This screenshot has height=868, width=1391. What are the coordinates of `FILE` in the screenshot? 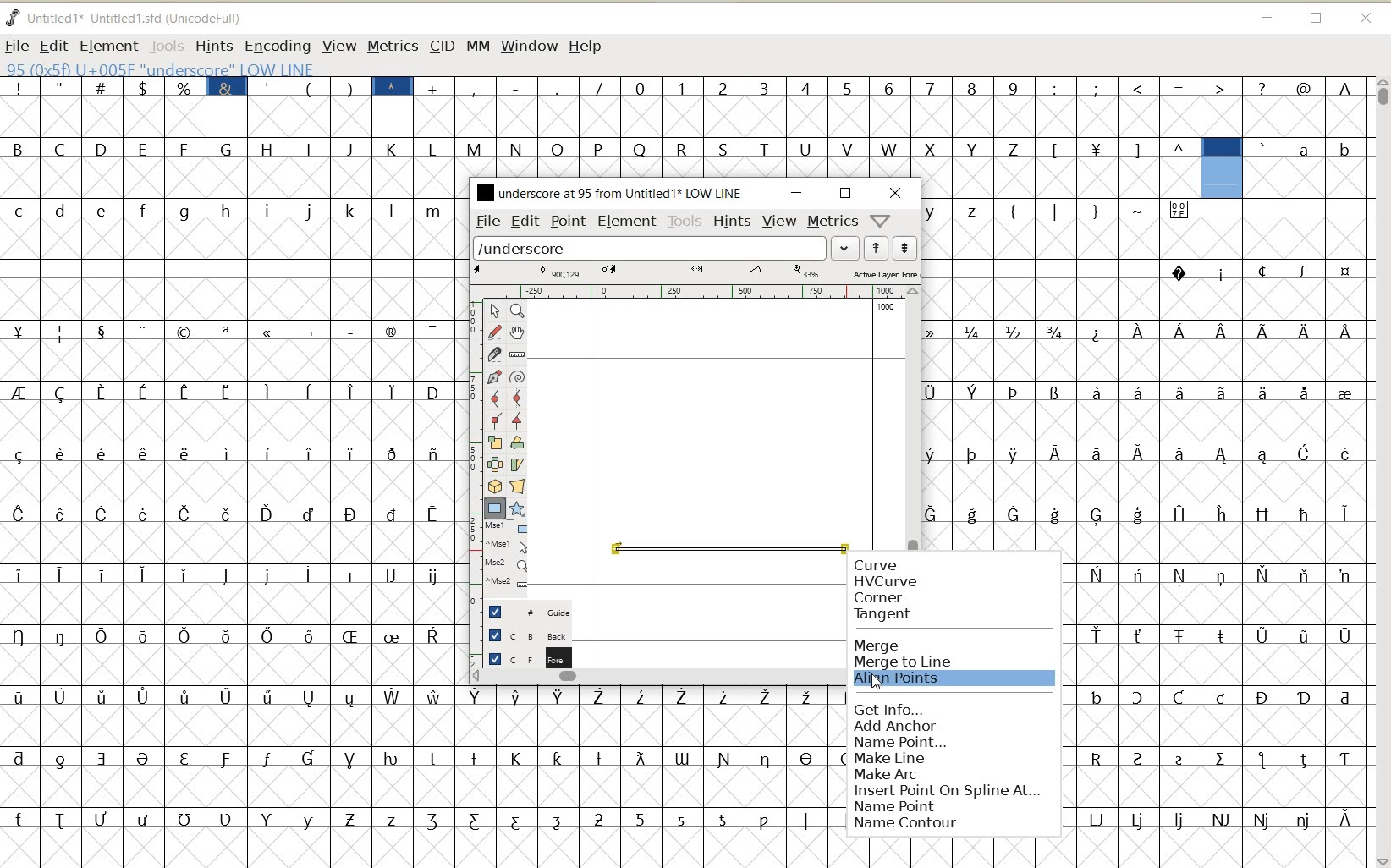 It's located at (487, 222).